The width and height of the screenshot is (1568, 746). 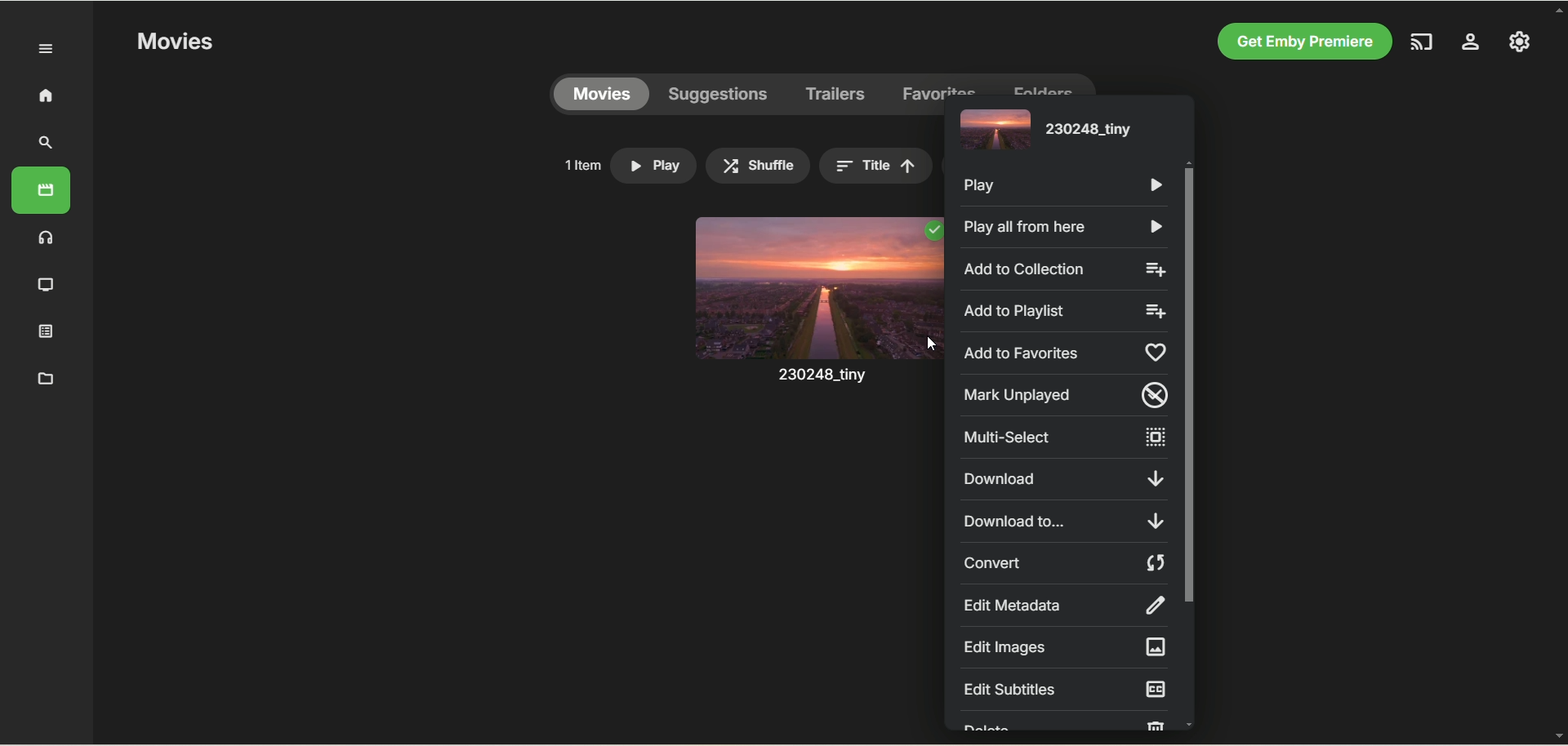 I want to click on home, so click(x=45, y=95).